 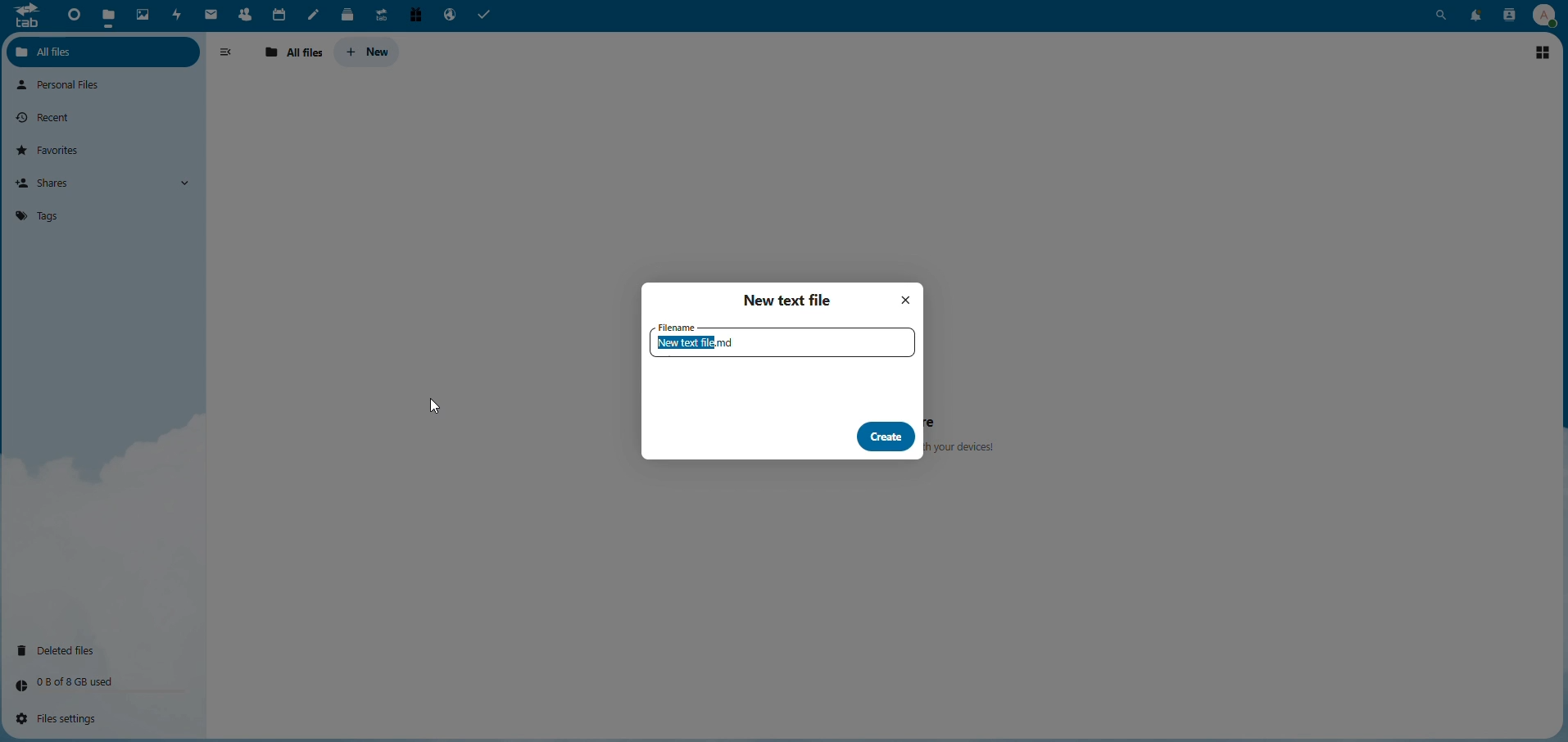 I want to click on Upgrade, so click(x=380, y=15).